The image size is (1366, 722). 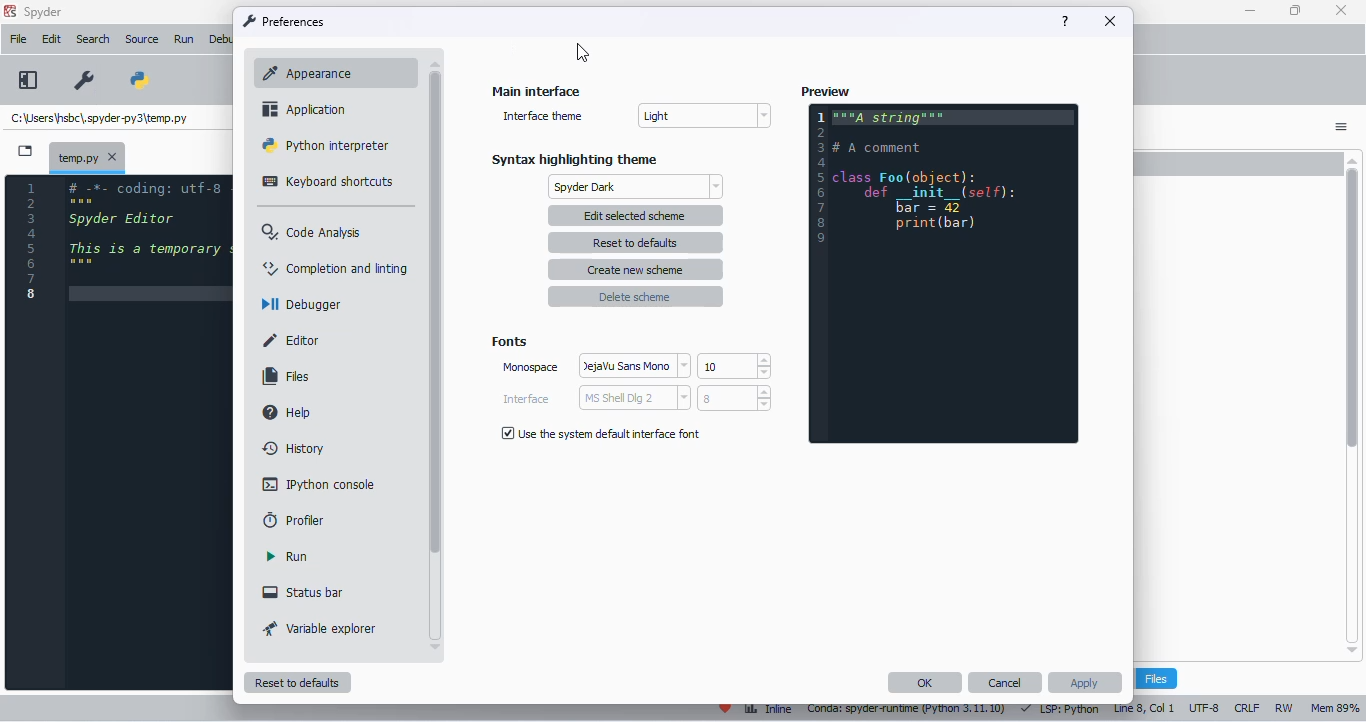 I want to click on browse tabs, so click(x=26, y=151).